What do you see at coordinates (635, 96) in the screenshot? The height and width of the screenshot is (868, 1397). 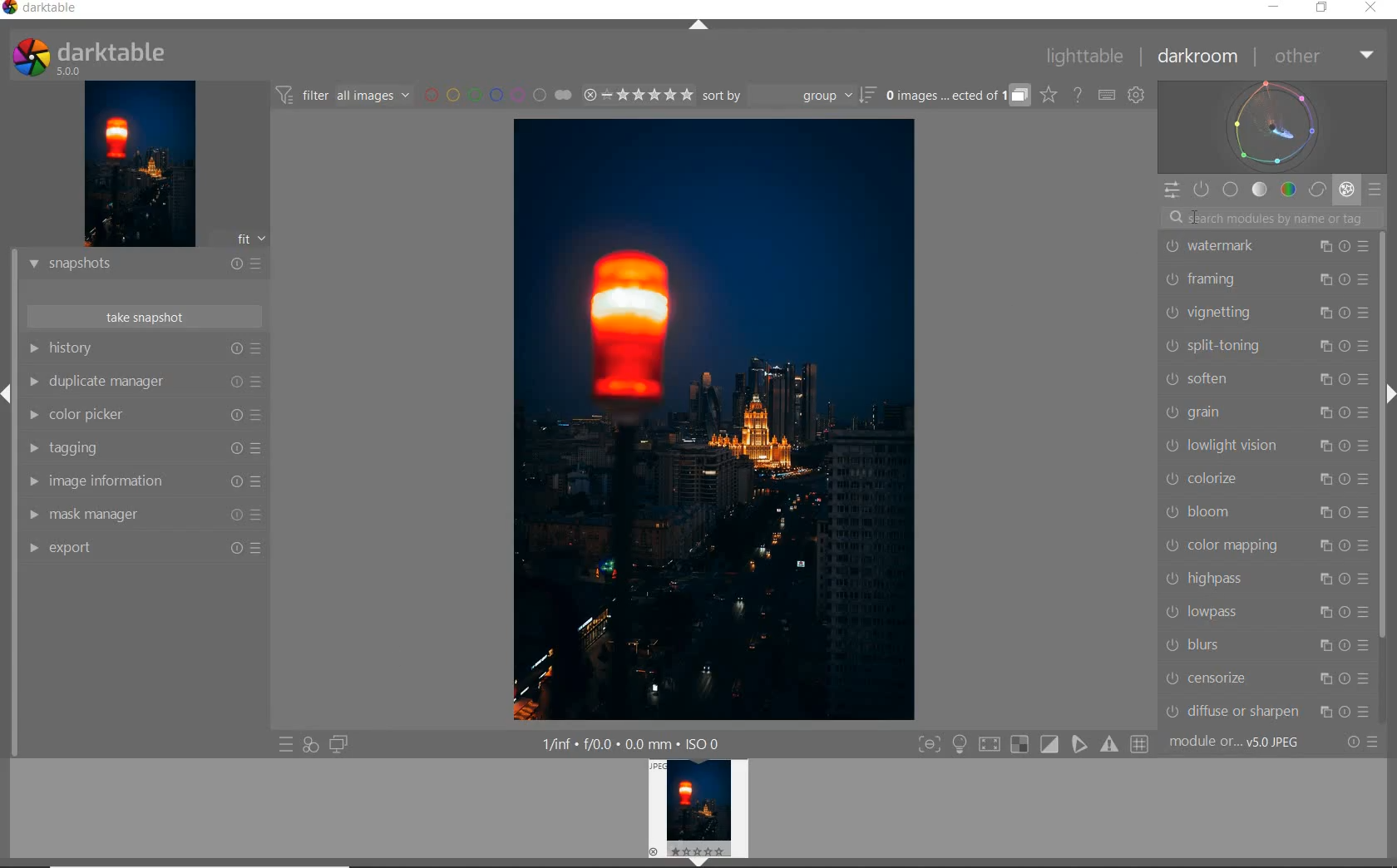 I see `RANGE RATING OF SELECTED IMAGES` at bounding box center [635, 96].